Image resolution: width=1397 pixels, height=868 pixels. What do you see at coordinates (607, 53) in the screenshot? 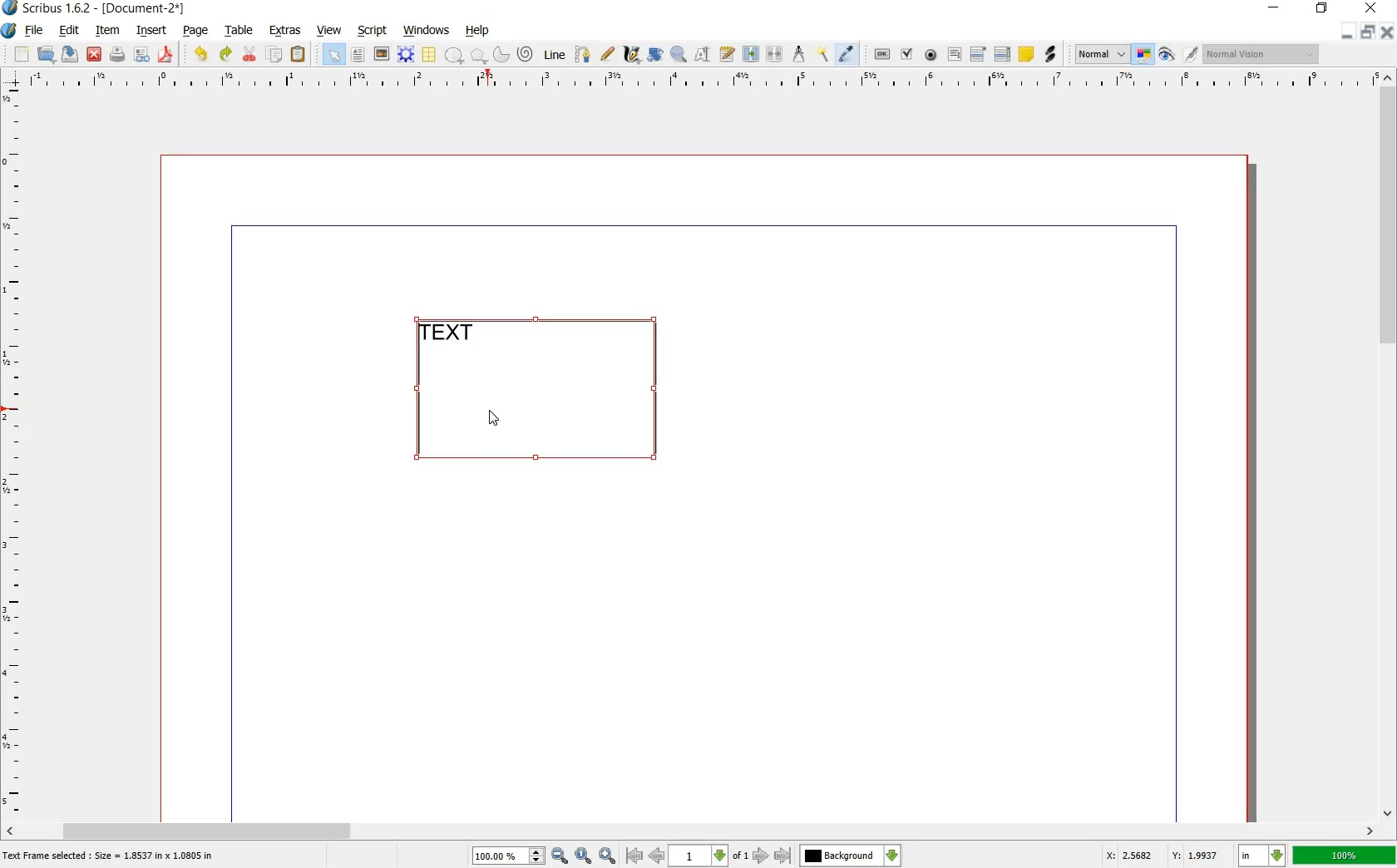
I see `freehand line` at bounding box center [607, 53].